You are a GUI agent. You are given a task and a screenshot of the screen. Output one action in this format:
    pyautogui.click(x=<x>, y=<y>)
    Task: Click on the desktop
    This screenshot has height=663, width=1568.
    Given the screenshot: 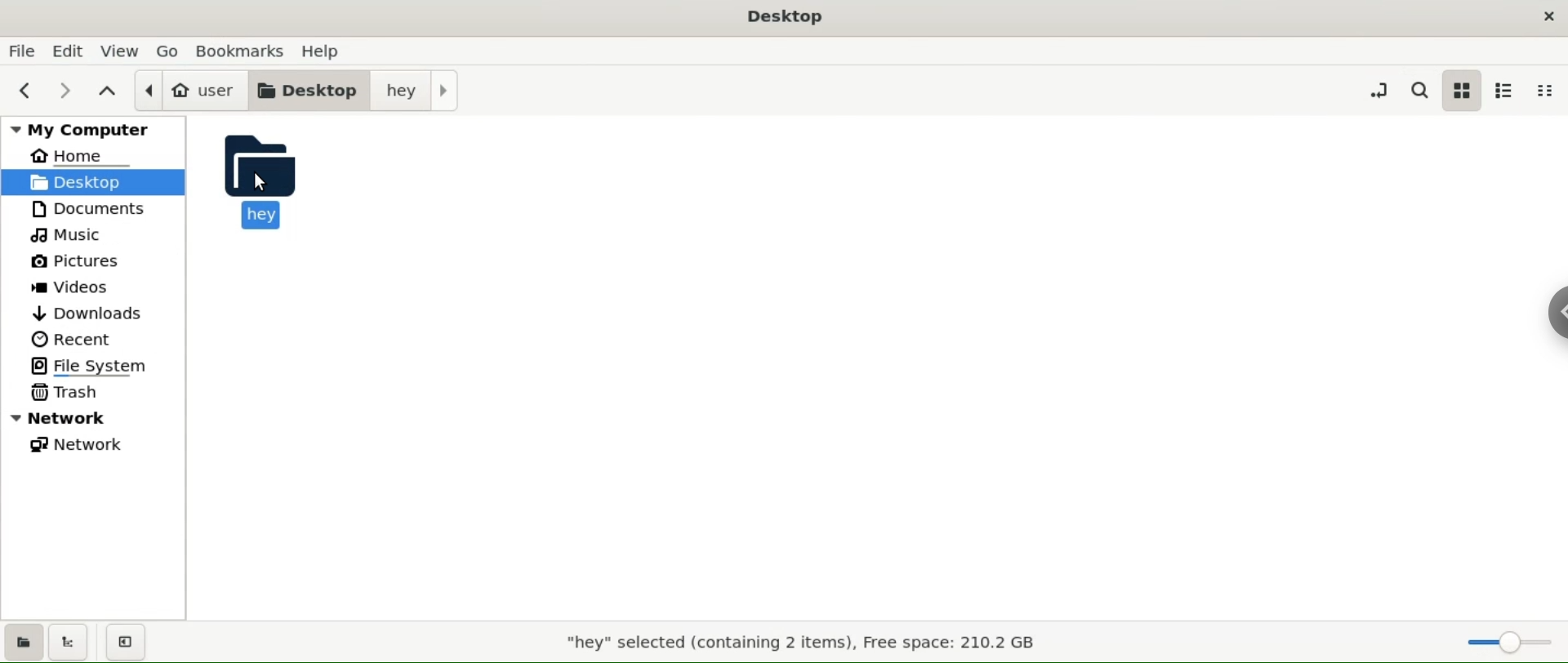 What is the action you would take?
    pyautogui.click(x=302, y=90)
    